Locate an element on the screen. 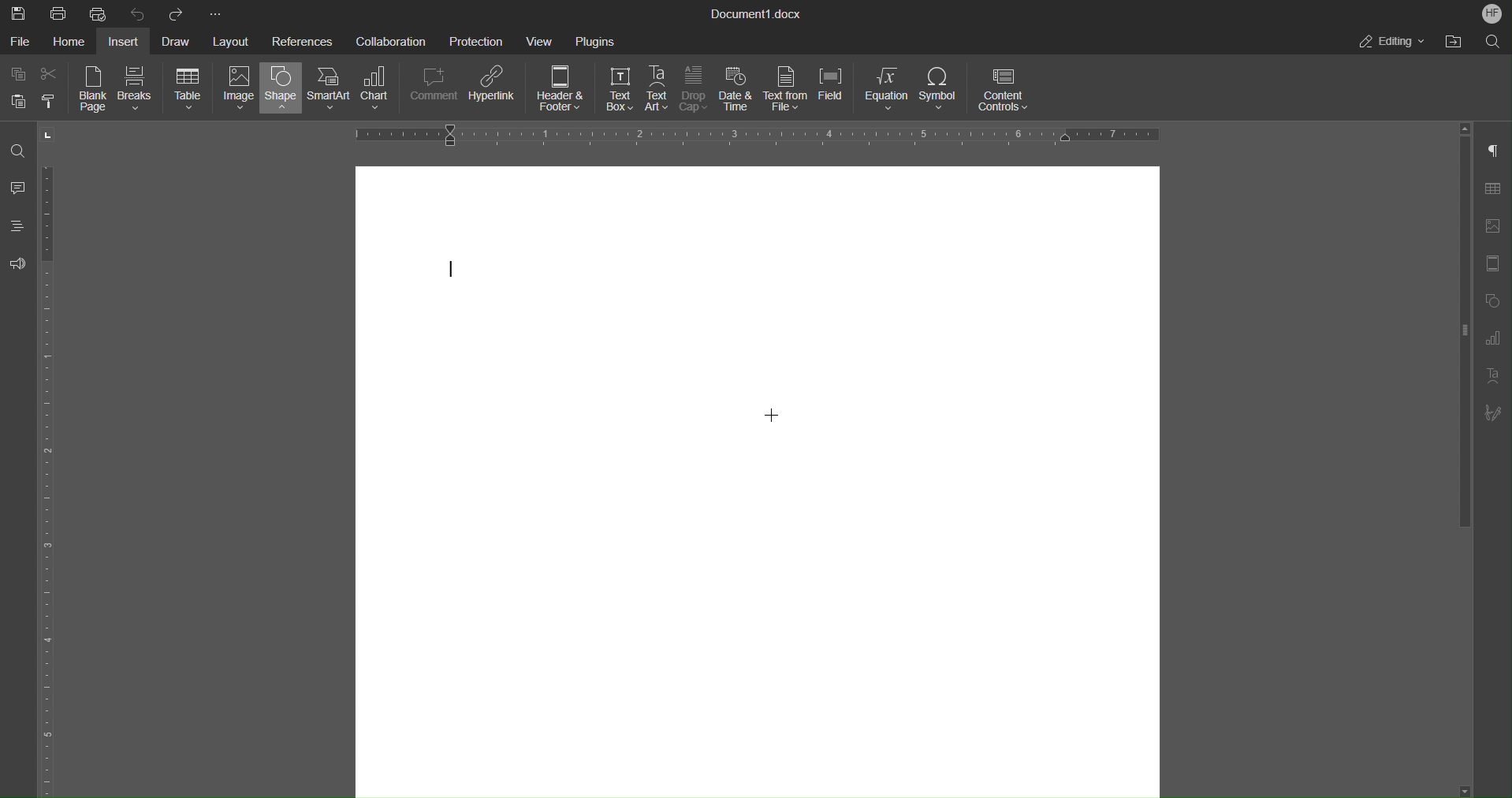 Image resolution: width=1512 pixels, height=798 pixels. View is located at coordinates (543, 40).